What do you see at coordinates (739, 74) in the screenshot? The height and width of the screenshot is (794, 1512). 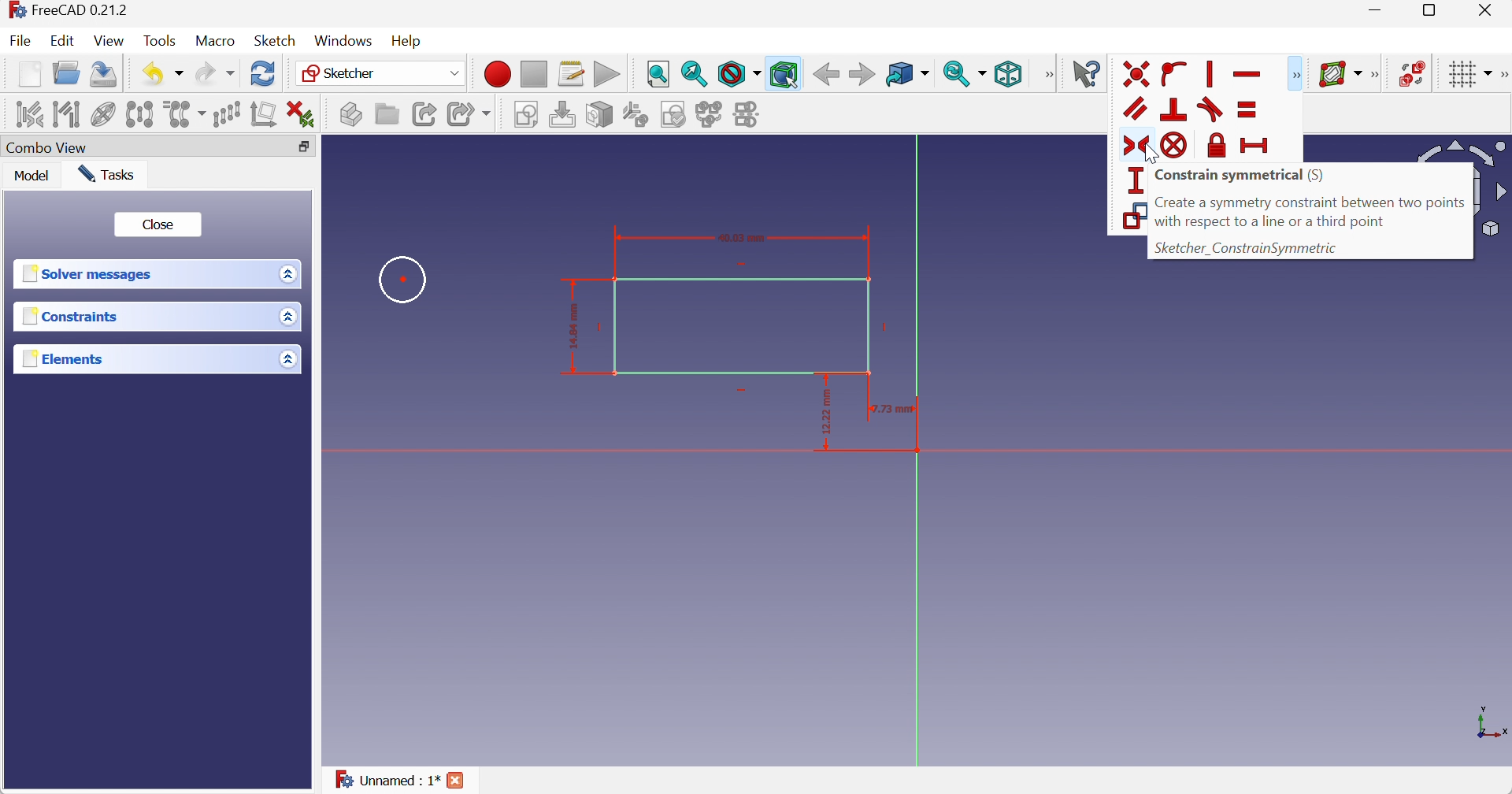 I see `Draw style` at bounding box center [739, 74].